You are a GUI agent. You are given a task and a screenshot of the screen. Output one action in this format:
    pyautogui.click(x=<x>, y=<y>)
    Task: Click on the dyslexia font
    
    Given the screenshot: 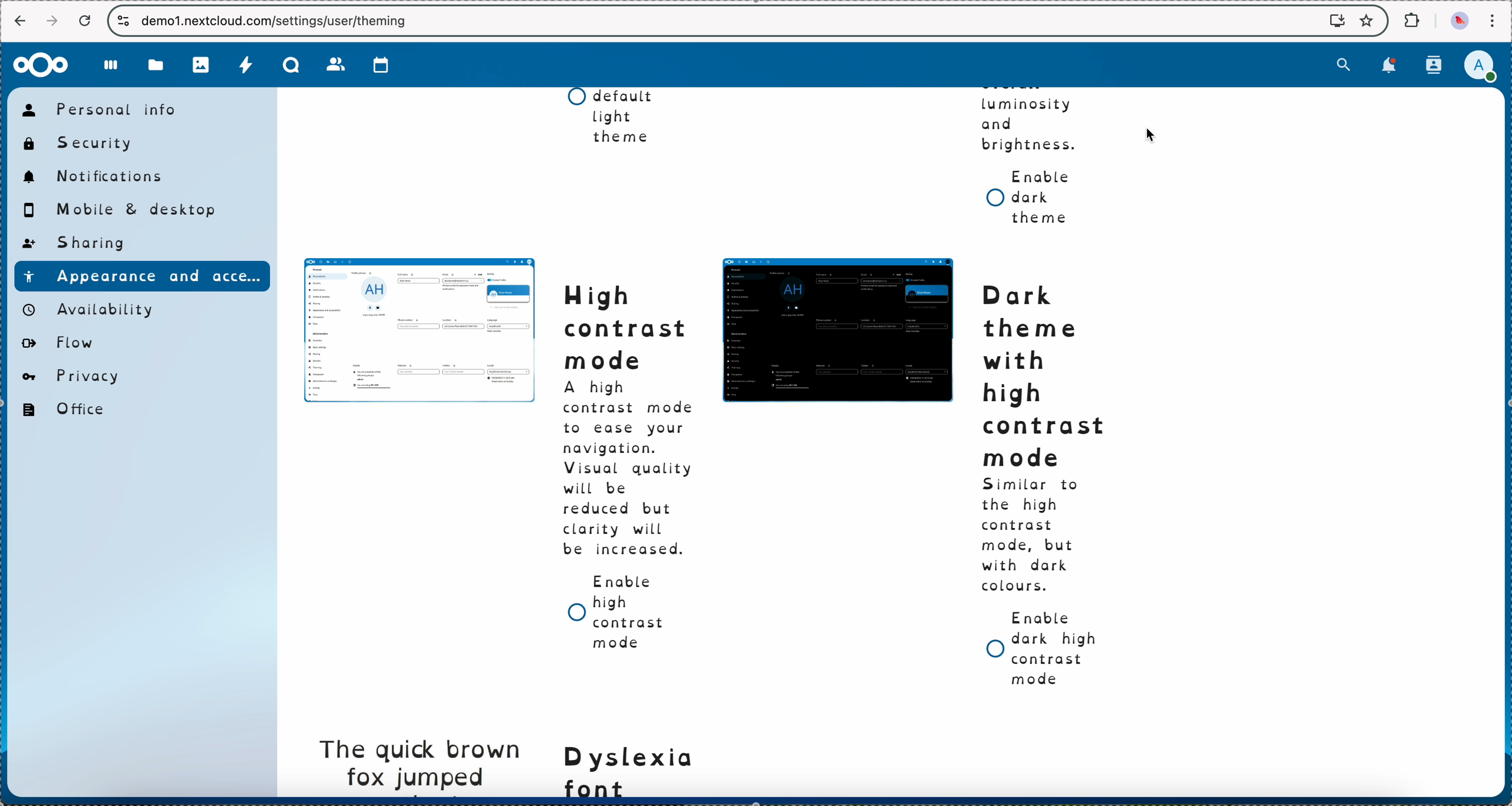 What is the action you would take?
    pyautogui.click(x=562, y=442)
    